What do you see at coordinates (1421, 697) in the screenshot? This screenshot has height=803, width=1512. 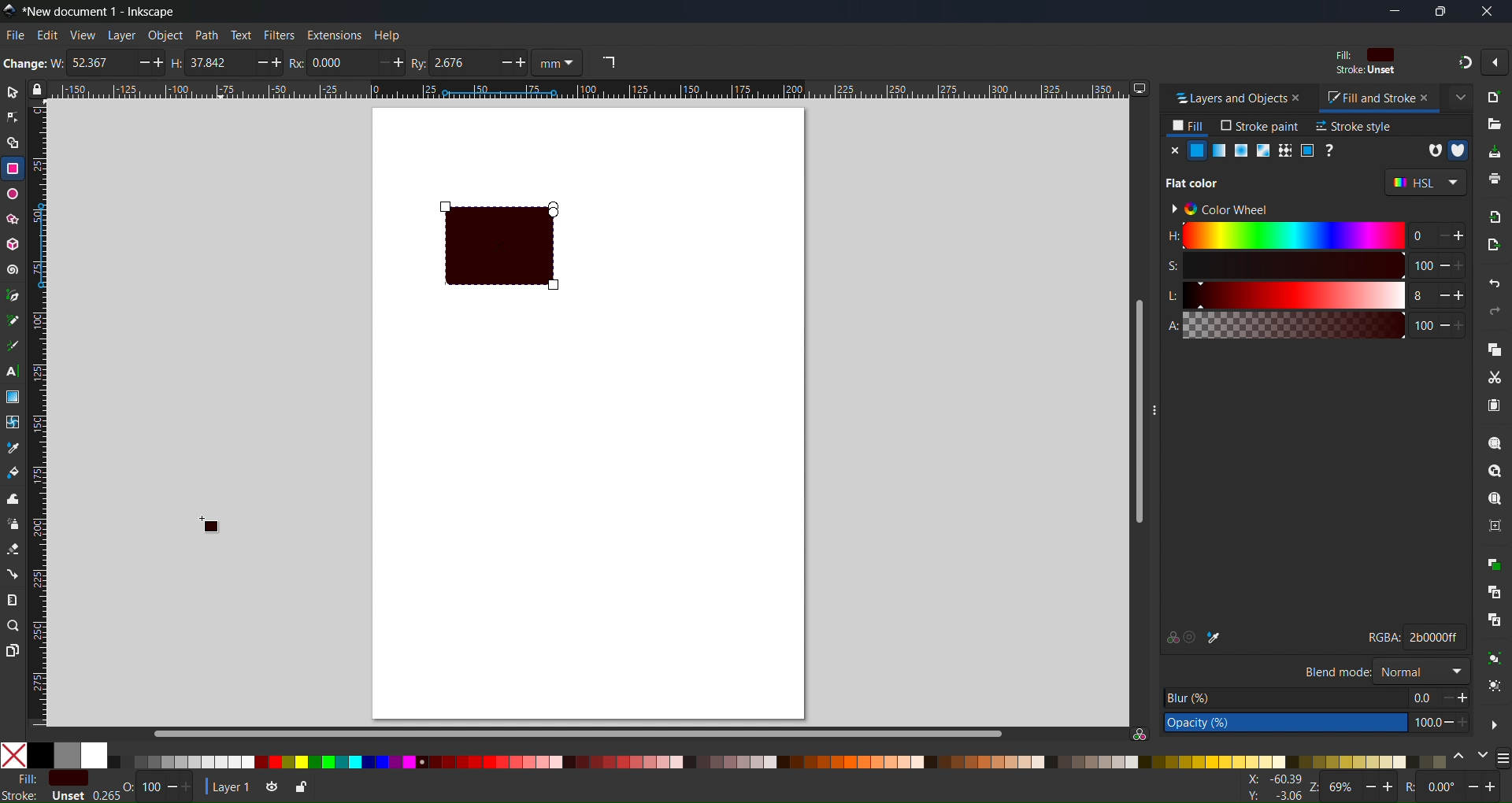 I see `current blur: 0.0` at bounding box center [1421, 697].